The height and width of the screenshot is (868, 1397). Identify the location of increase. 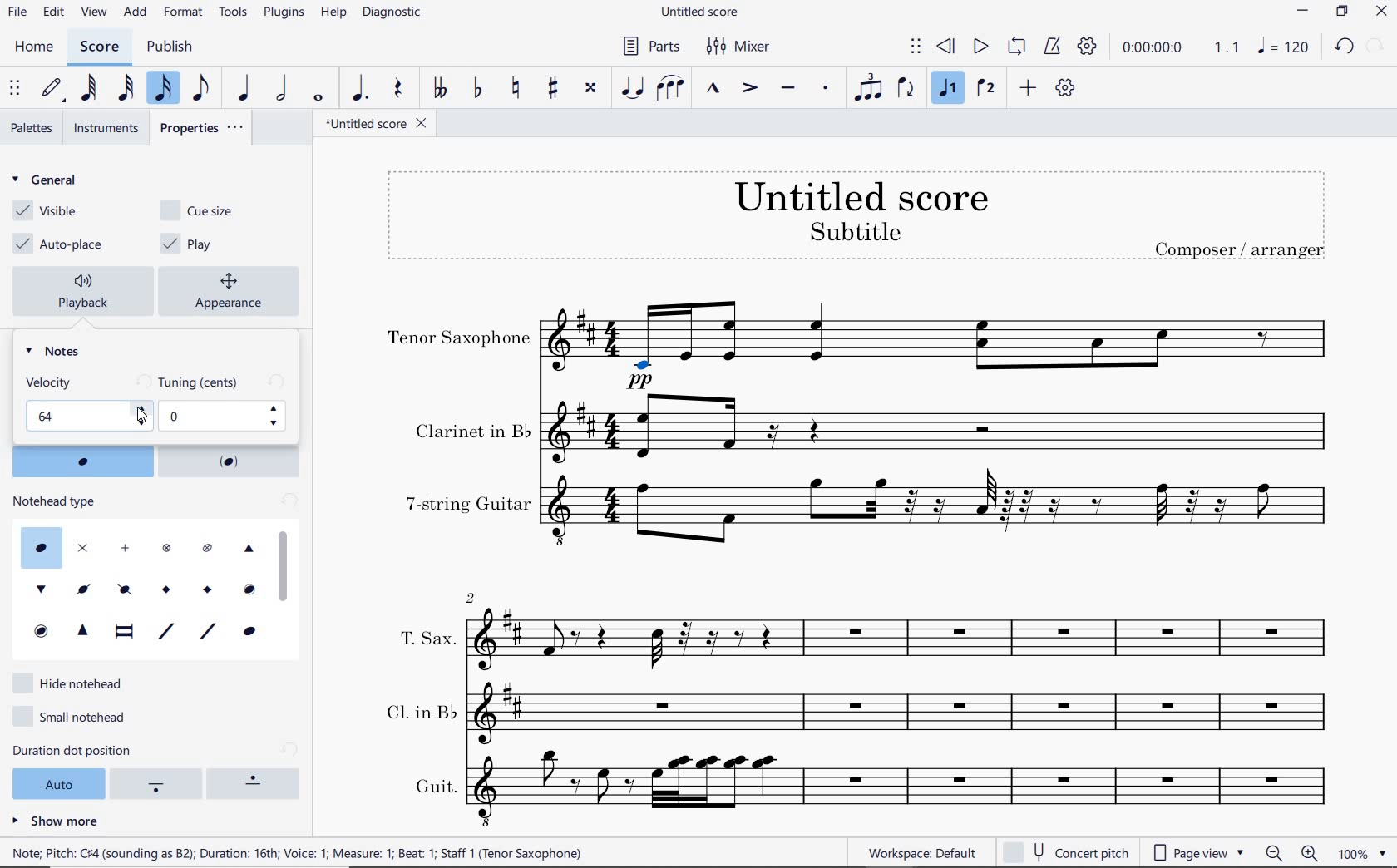
(141, 408).